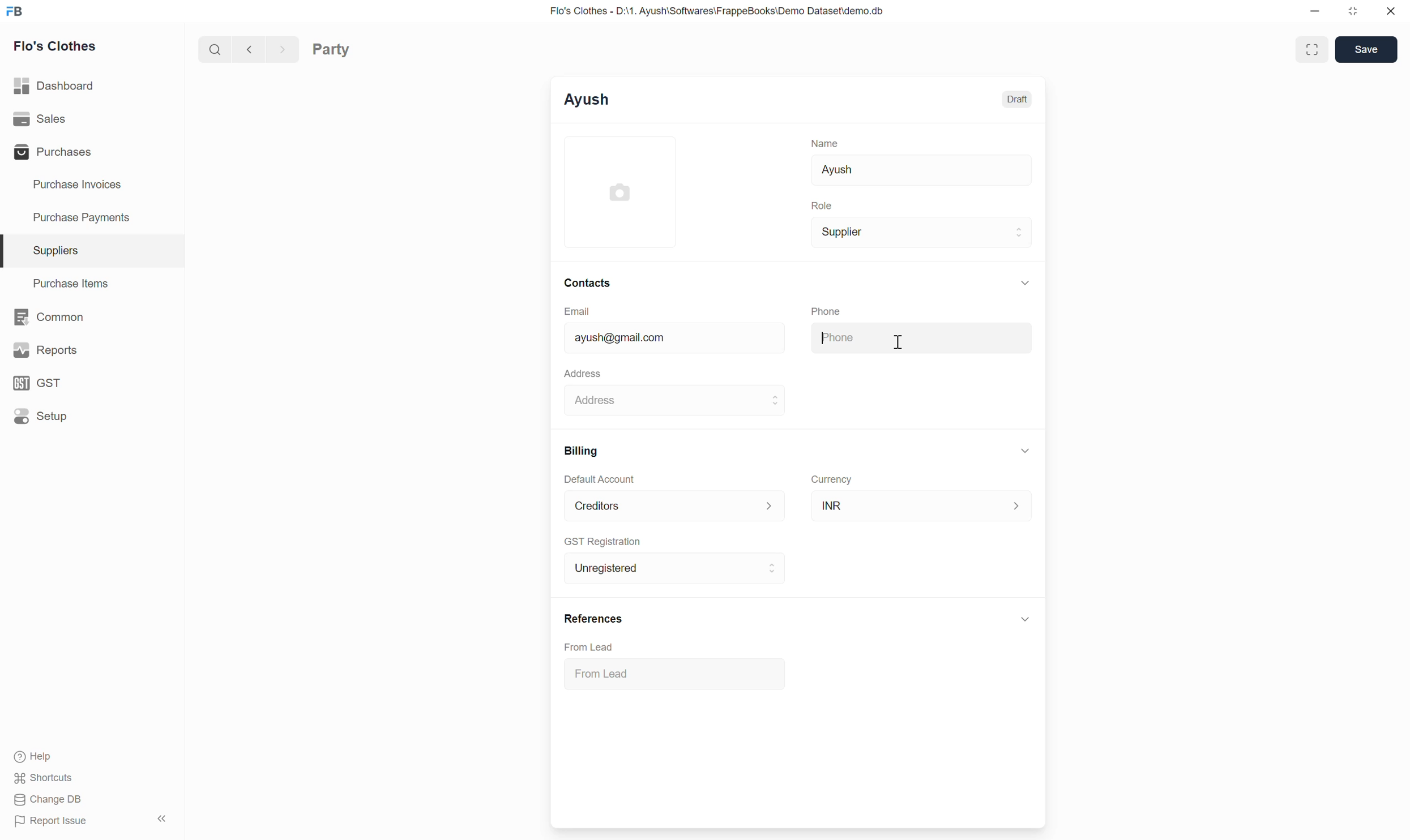 The height and width of the screenshot is (840, 1410). What do you see at coordinates (826, 311) in the screenshot?
I see `Phone` at bounding box center [826, 311].